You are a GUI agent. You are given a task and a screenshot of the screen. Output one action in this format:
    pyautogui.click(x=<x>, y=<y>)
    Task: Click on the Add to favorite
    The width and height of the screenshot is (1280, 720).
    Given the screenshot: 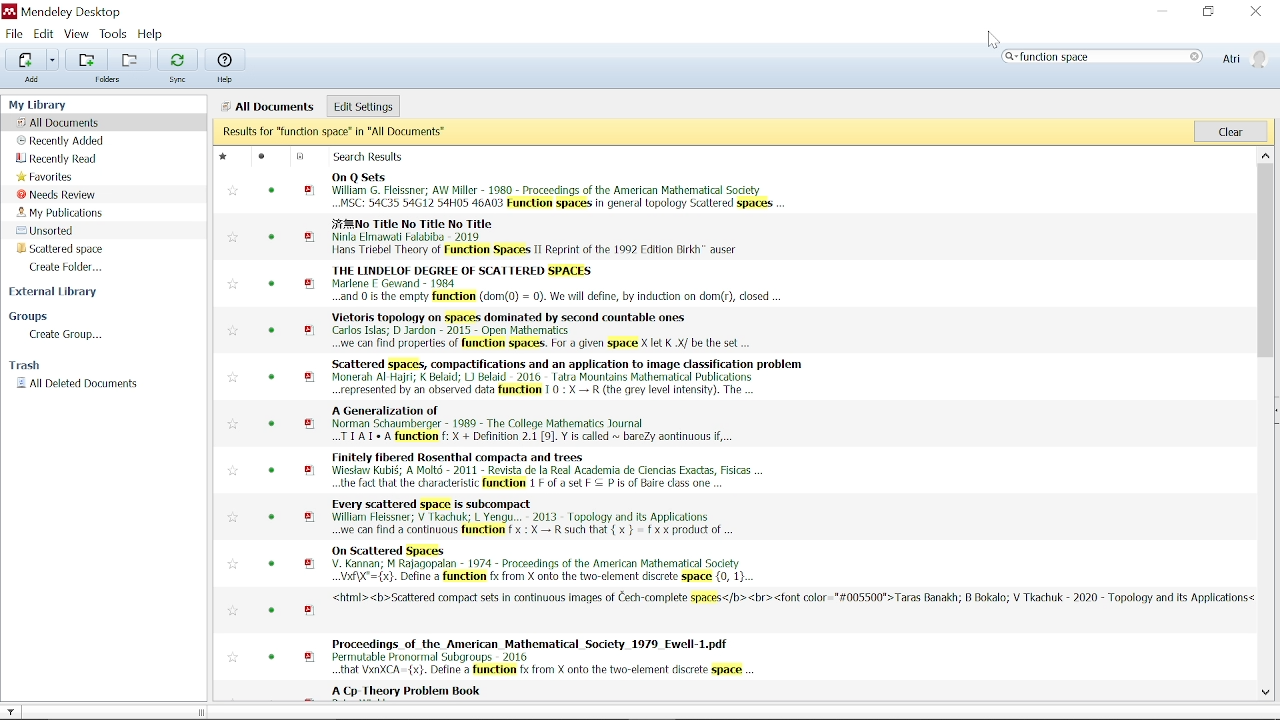 What is the action you would take?
    pyautogui.click(x=233, y=330)
    